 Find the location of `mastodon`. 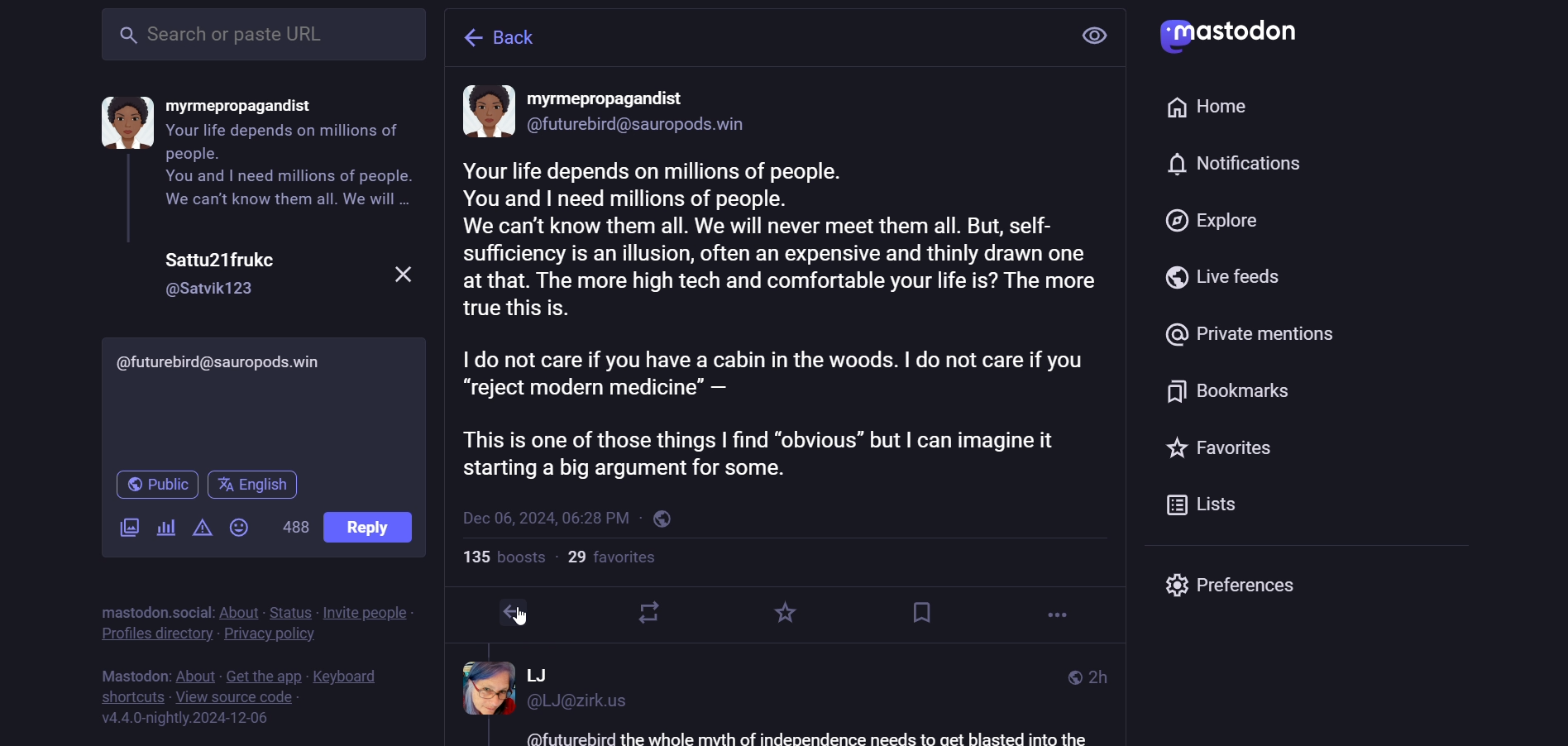

mastodon is located at coordinates (1232, 34).